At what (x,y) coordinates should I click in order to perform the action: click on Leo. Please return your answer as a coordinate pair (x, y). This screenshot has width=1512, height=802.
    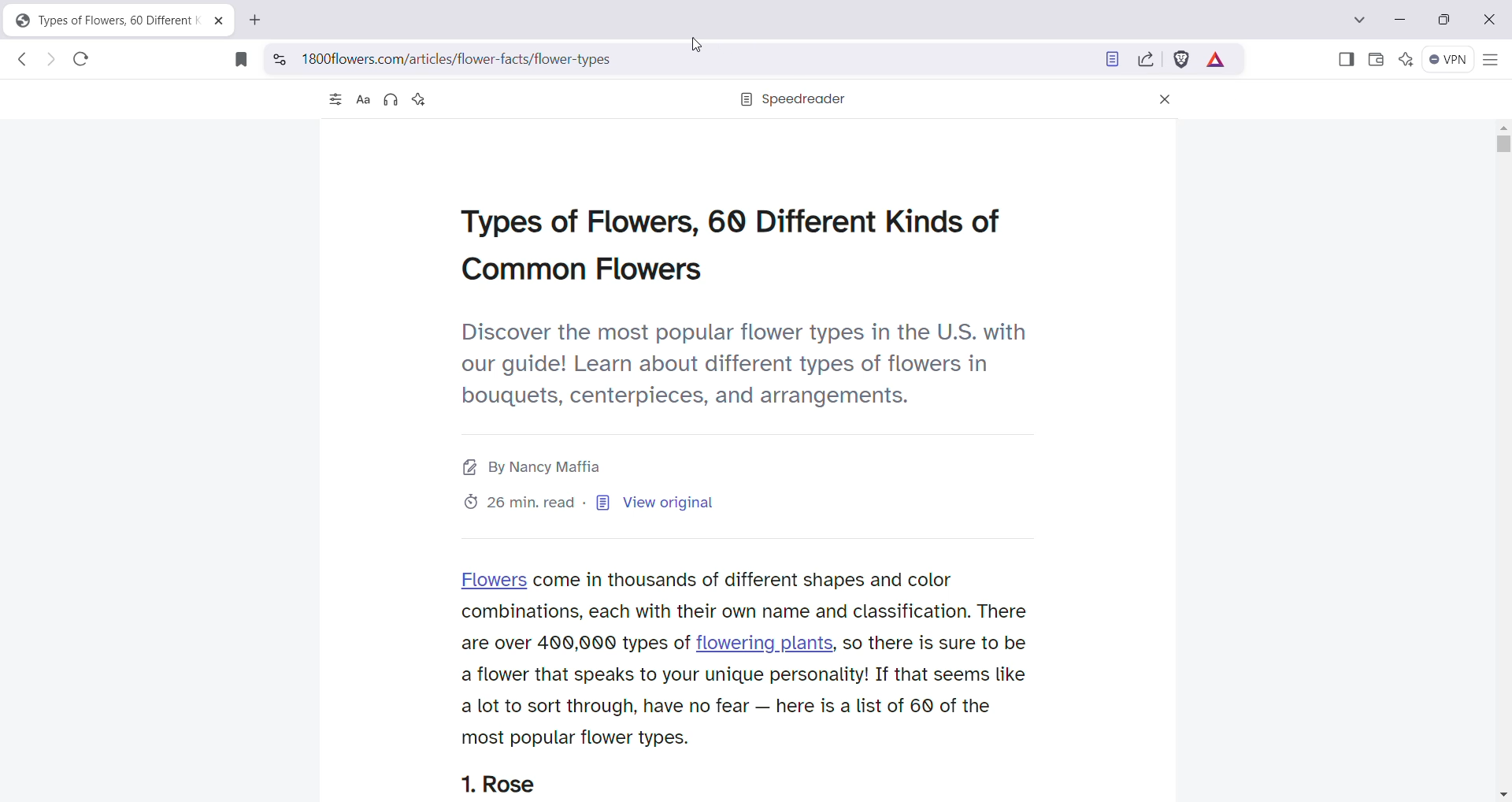
    Looking at the image, I should click on (418, 99).